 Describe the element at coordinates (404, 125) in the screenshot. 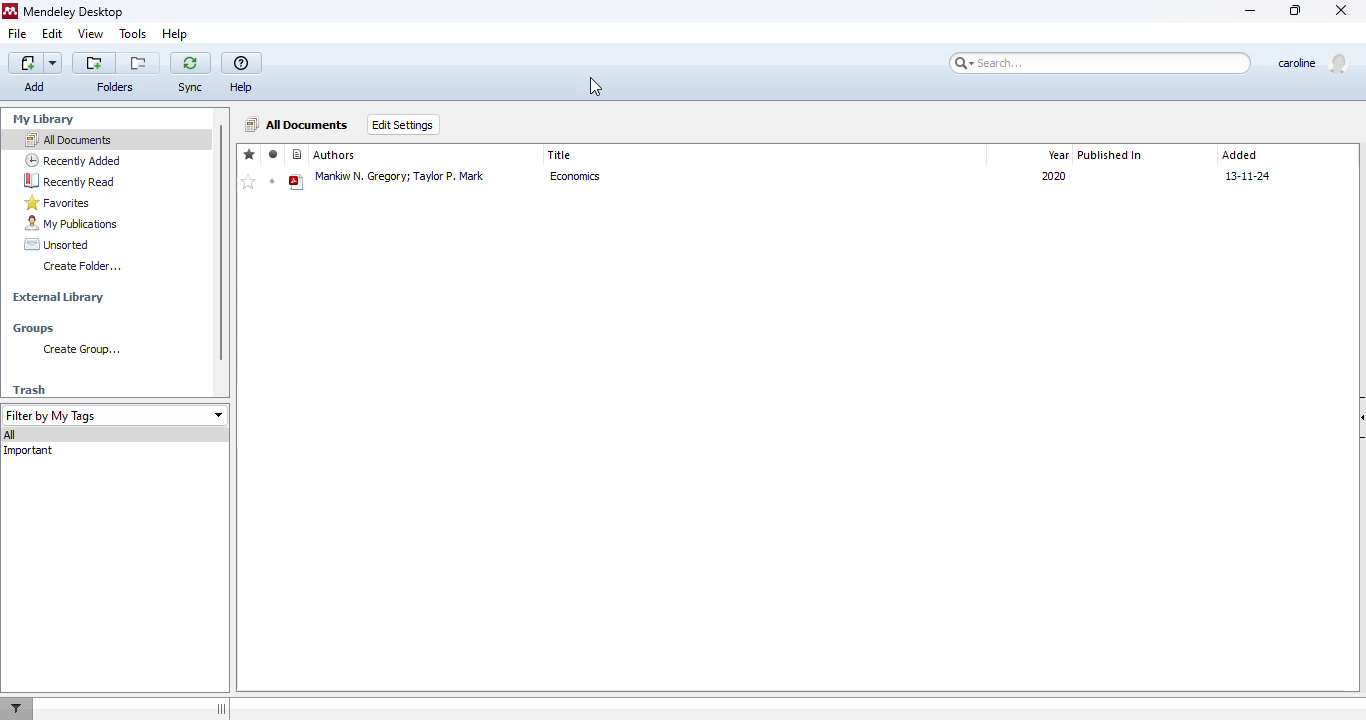

I see `edit settings` at that location.